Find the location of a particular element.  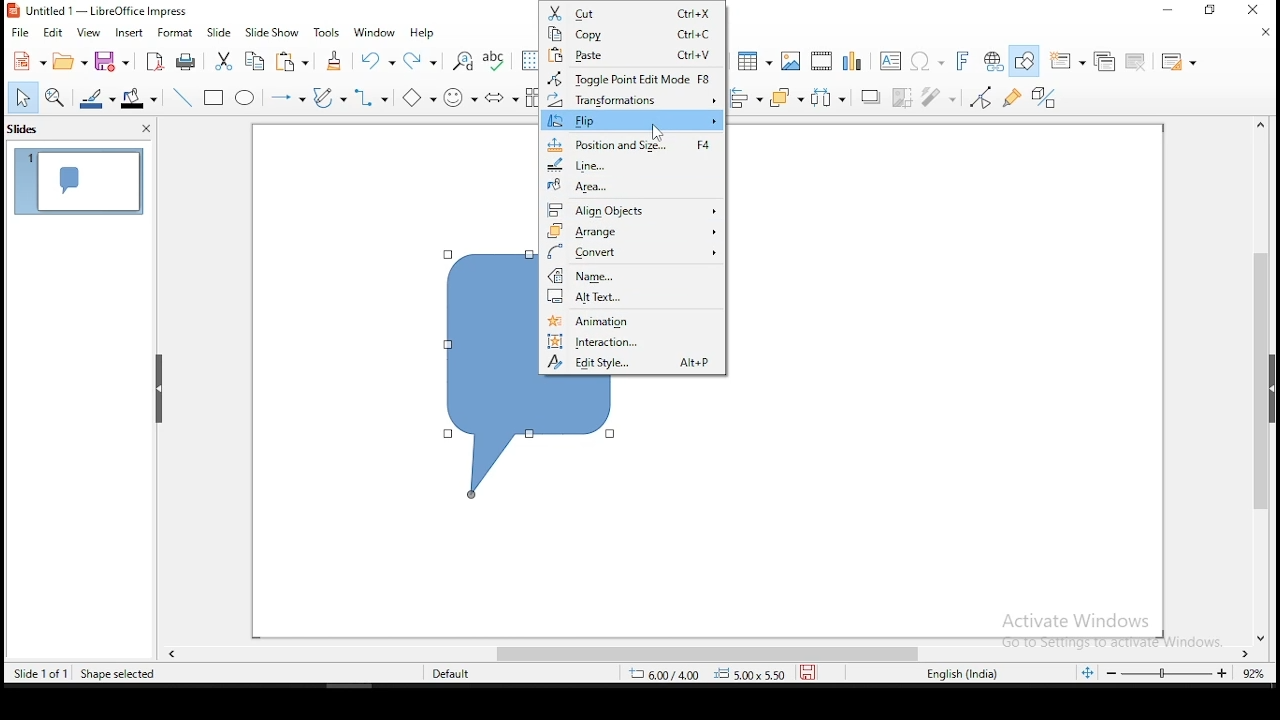

mouse pointer is located at coordinates (657, 133).